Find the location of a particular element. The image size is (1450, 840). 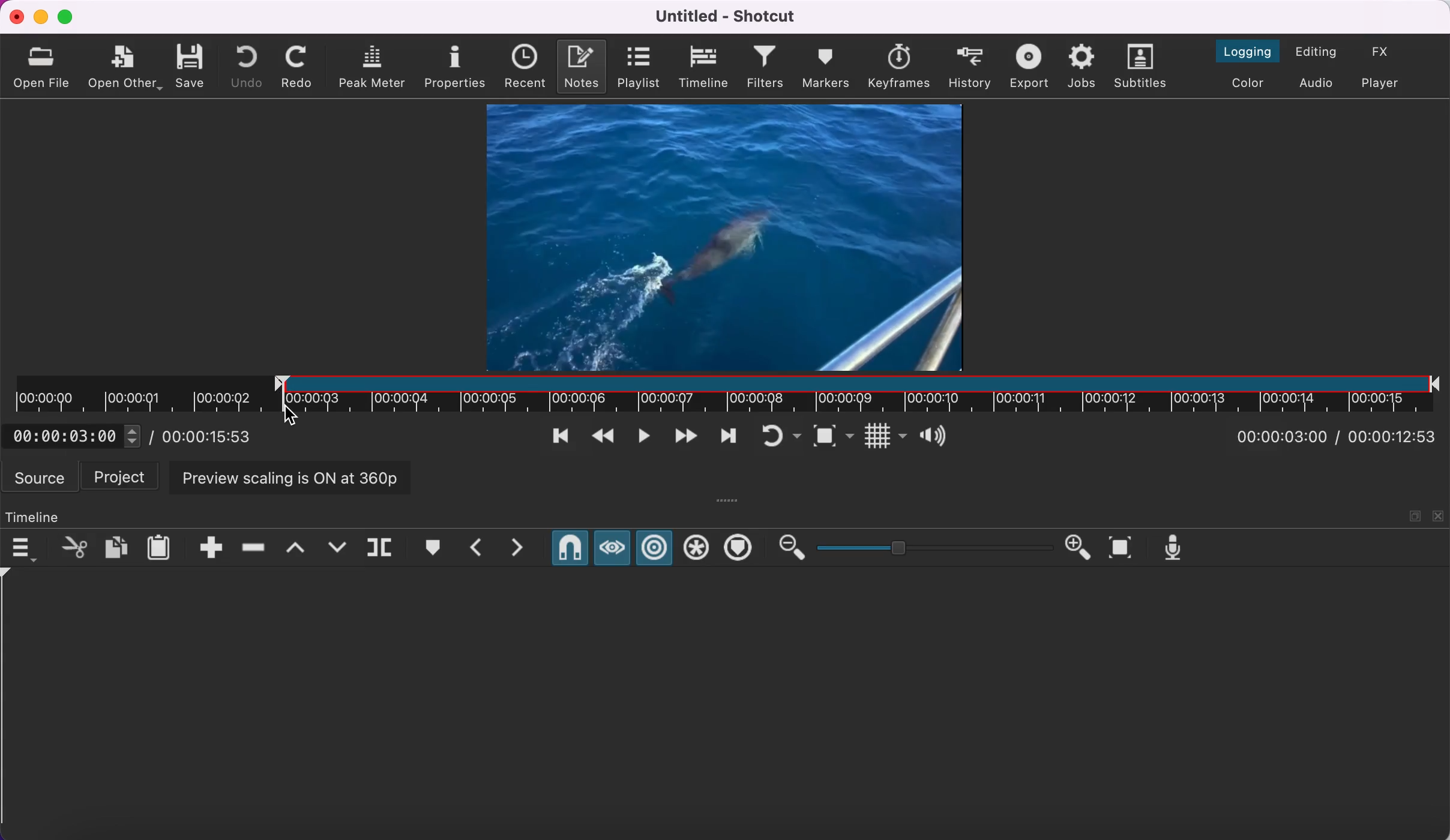

source is located at coordinates (39, 478).